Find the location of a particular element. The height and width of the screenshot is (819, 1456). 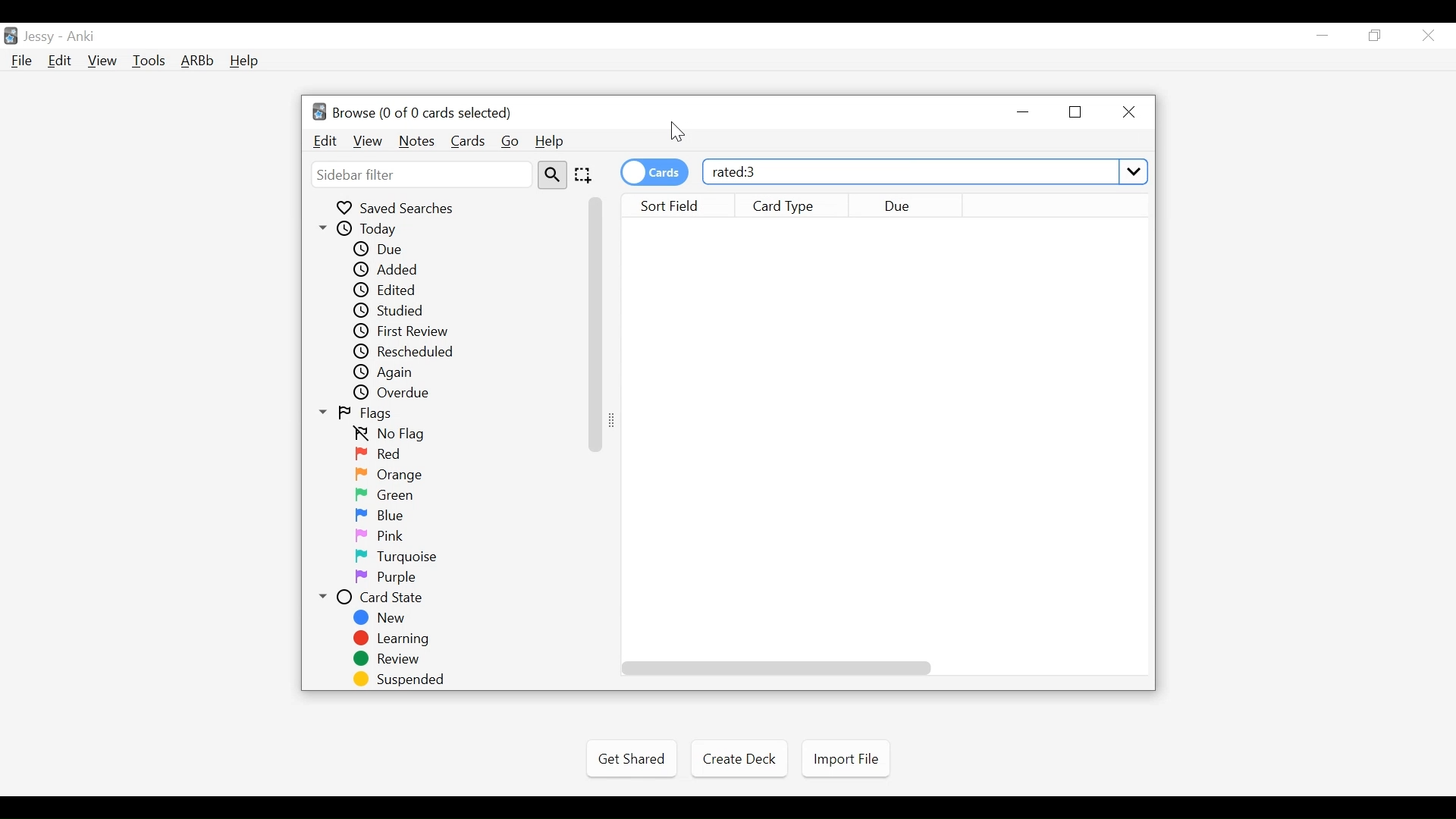

Go is located at coordinates (511, 143).